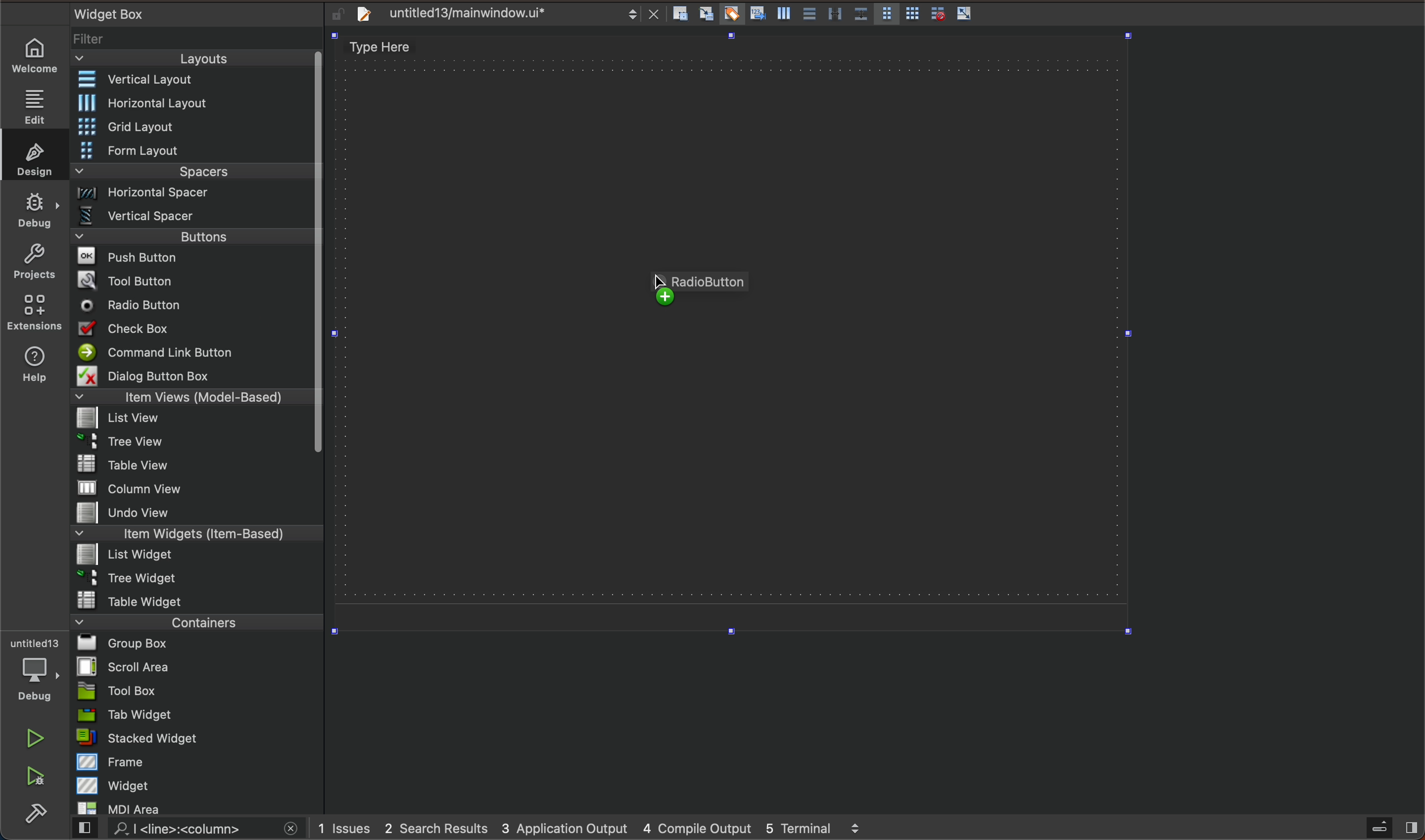 The image size is (1425, 840). Describe the element at coordinates (199, 785) in the screenshot. I see `widget` at that location.